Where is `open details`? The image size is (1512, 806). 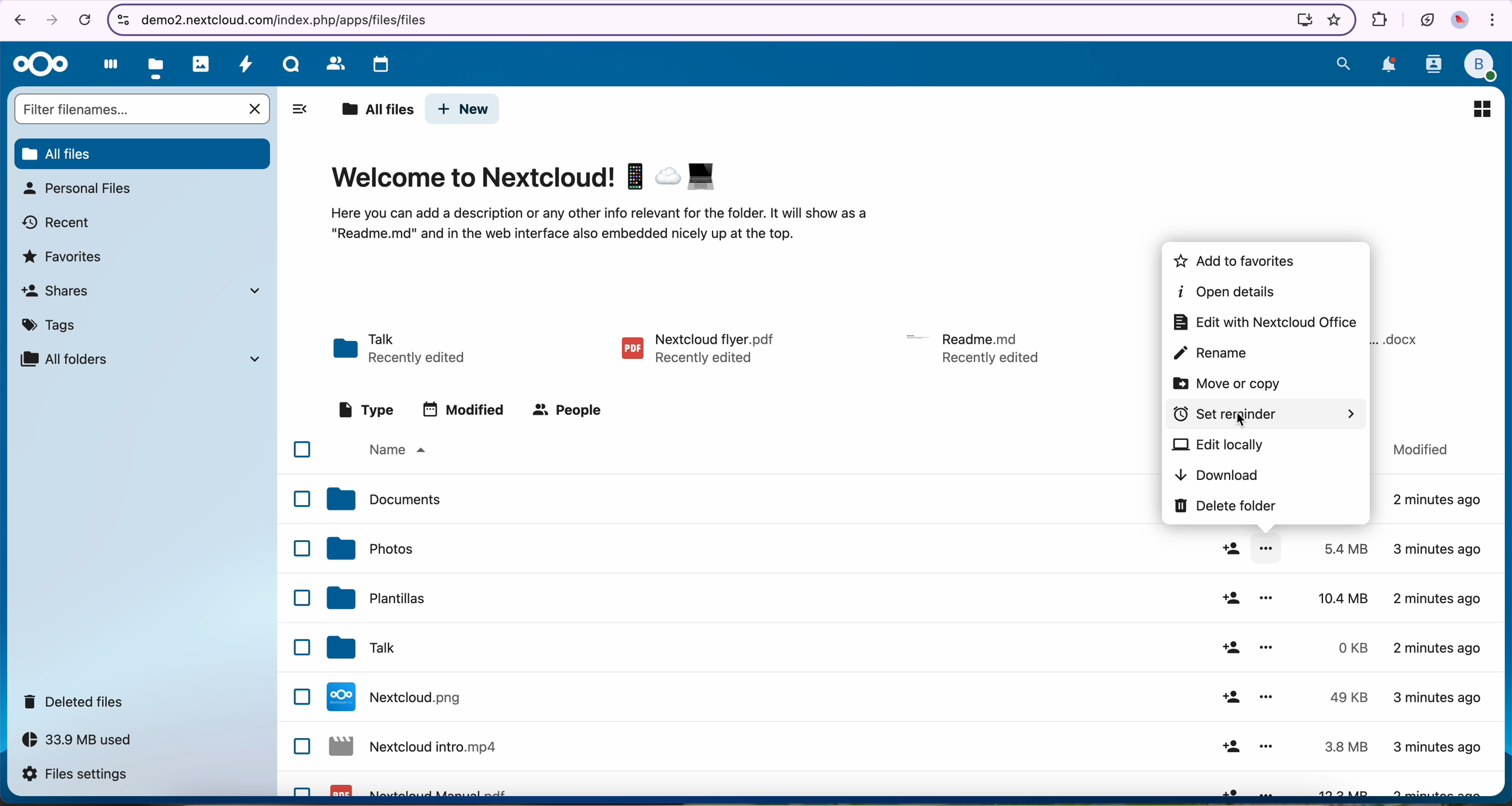 open details is located at coordinates (1226, 292).